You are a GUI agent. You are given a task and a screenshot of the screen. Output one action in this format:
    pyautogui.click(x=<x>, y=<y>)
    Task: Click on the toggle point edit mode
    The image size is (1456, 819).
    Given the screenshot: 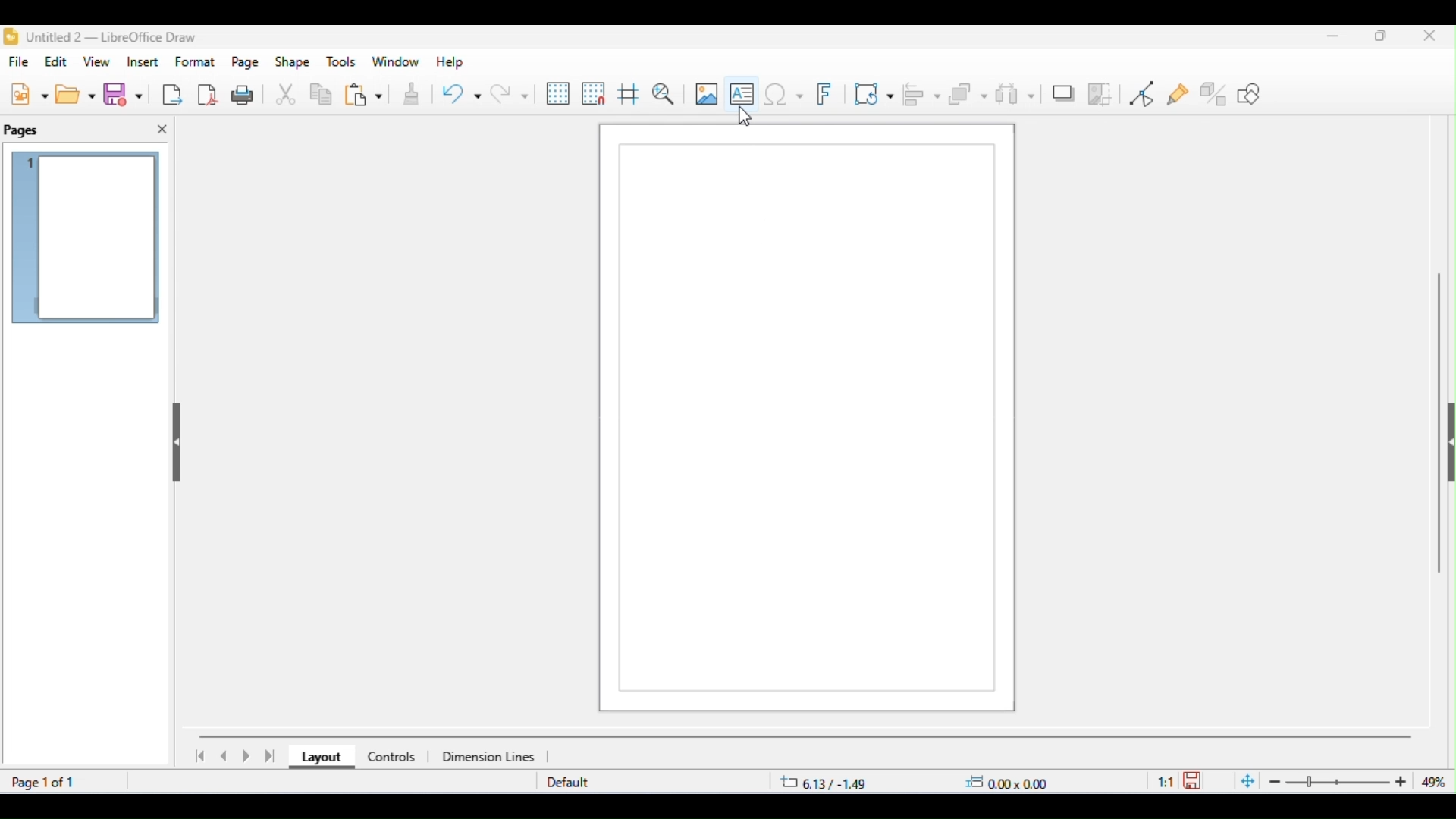 What is the action you would take?
    pyautogui.click(x=1145, y=94)
    